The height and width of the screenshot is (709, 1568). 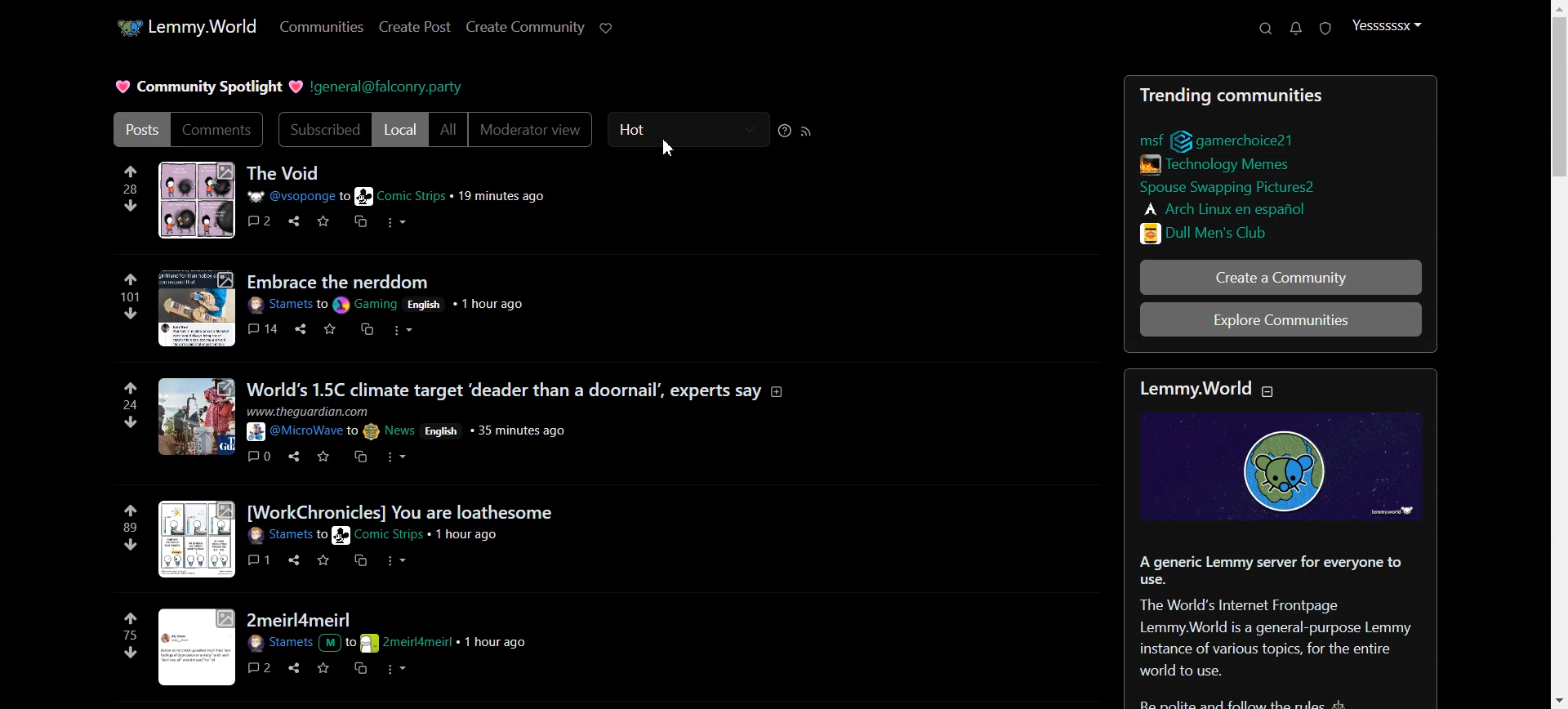 I want to click on , so click(x=260, y=455).